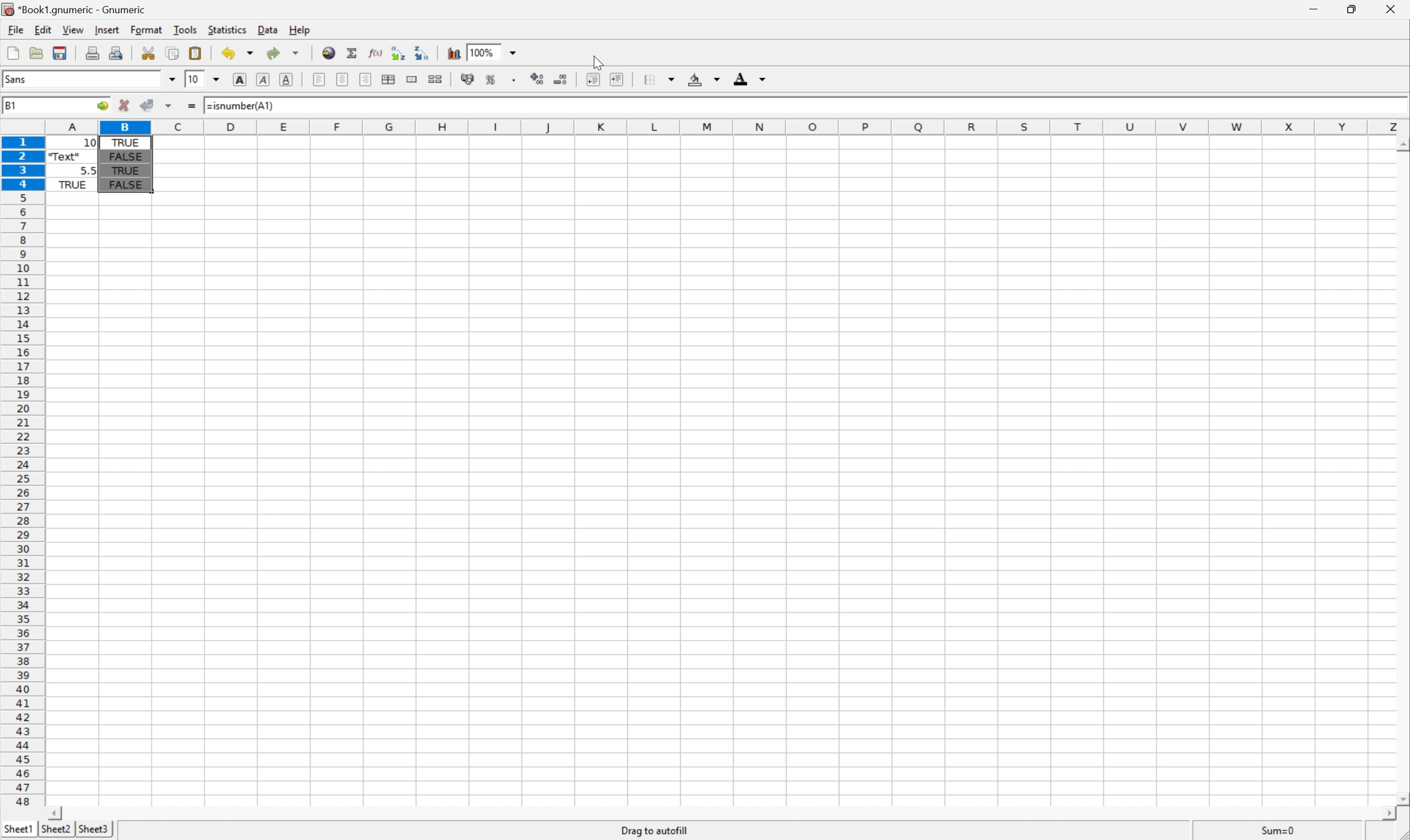 The height and width of the screenshot is (840, 1410). What do you see at coordinates (619, 79) in the screenshot?
I see `Increase indent, and align the contents to the left` at bounding box center [619, 79].